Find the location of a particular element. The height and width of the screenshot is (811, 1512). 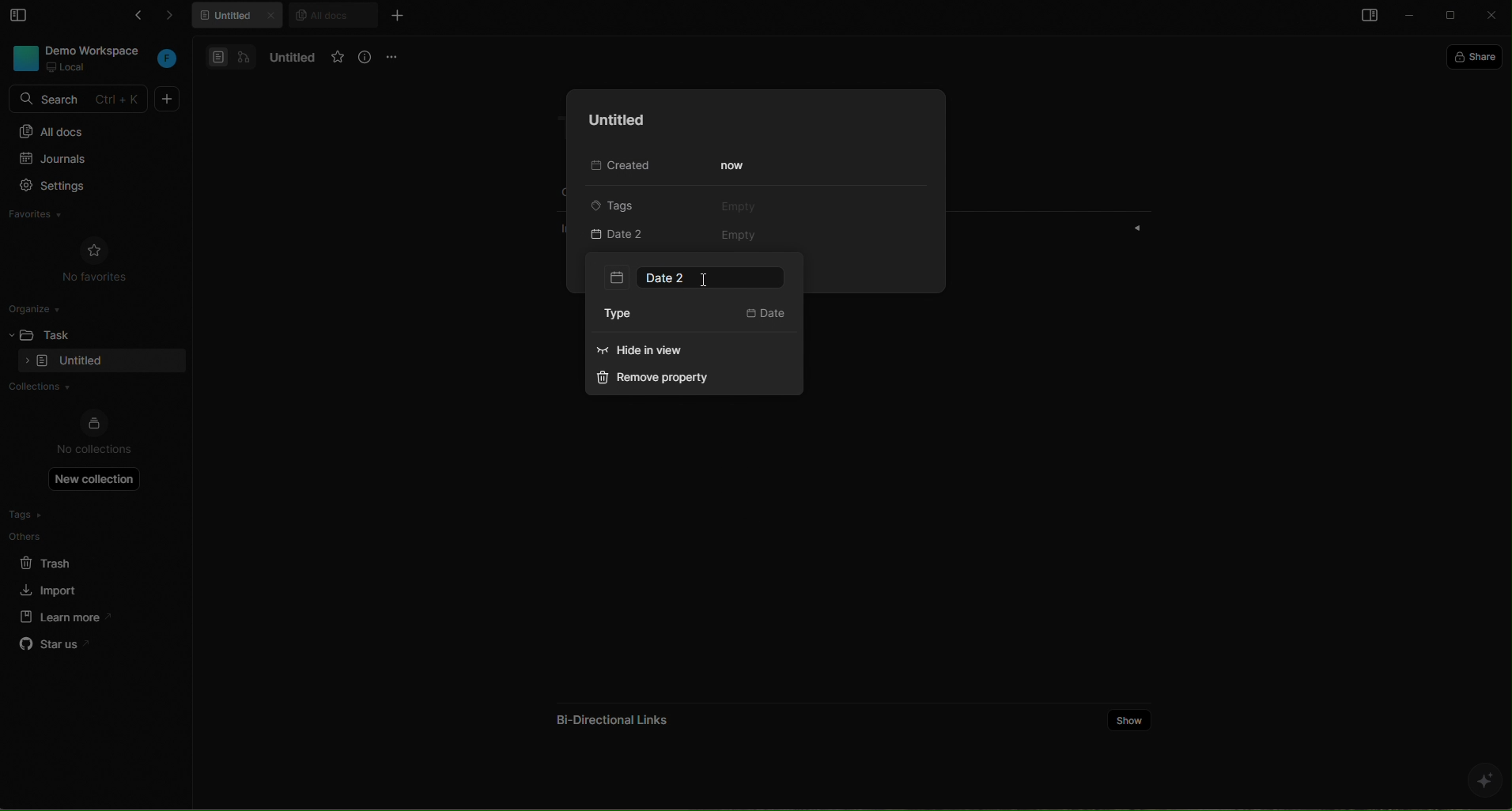

Created is located at coordinates (617, 167).